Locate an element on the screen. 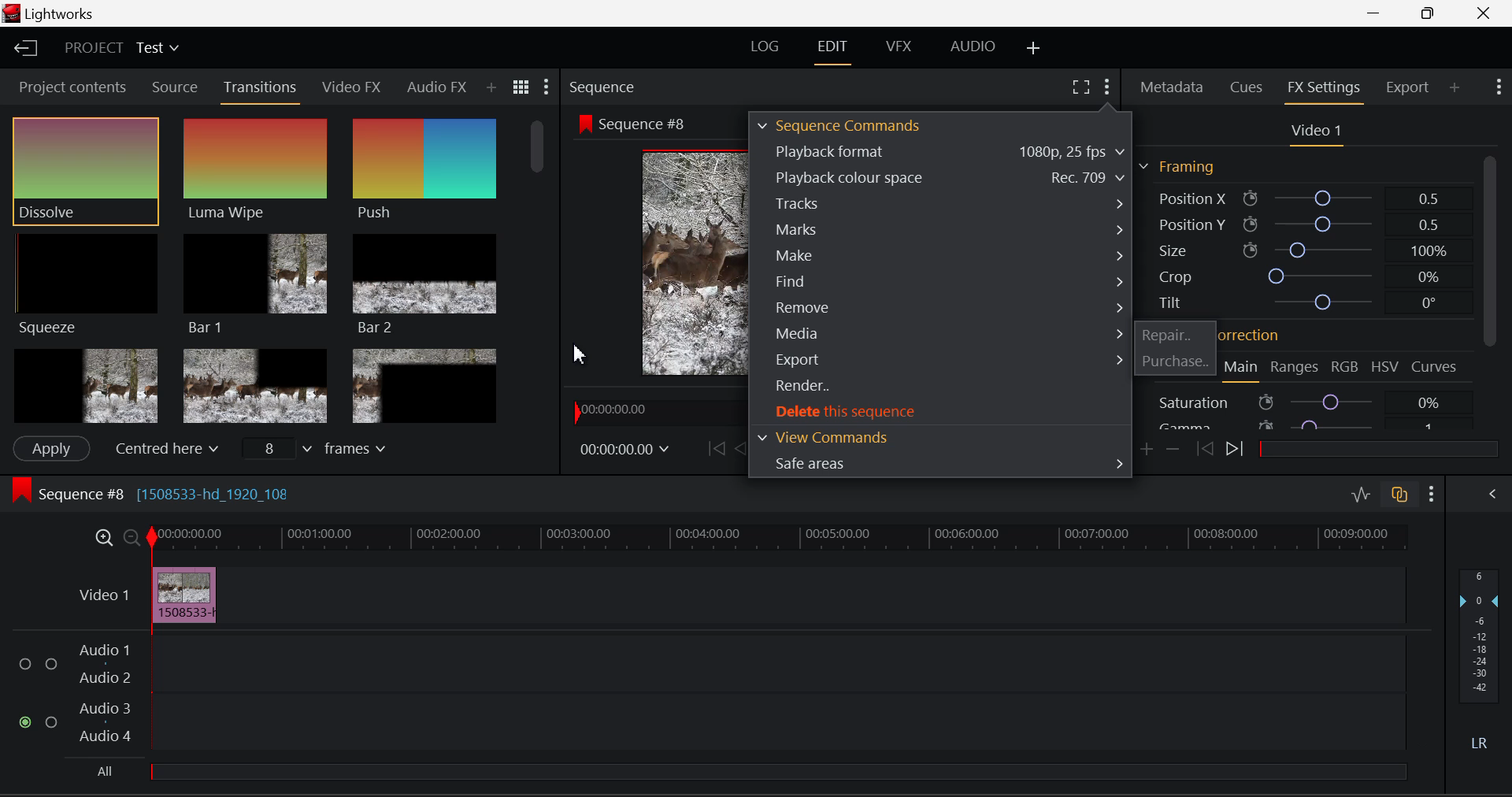  Video Settings is located at coordinates (1317, 132).